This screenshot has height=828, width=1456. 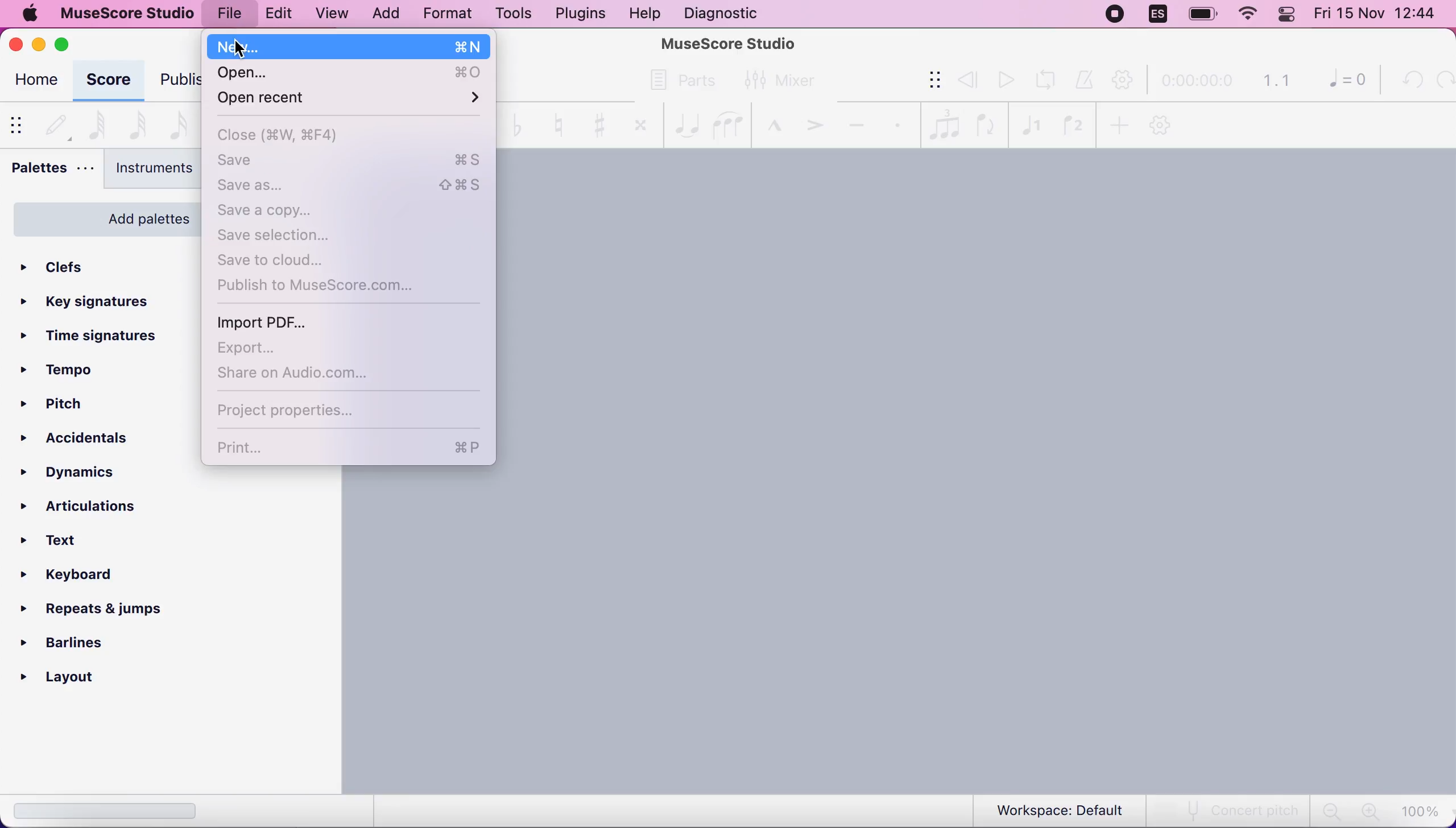 What do you see at coordinates (17, 44) in the screenshot?
I see `close` at bounding box center [17, 44].